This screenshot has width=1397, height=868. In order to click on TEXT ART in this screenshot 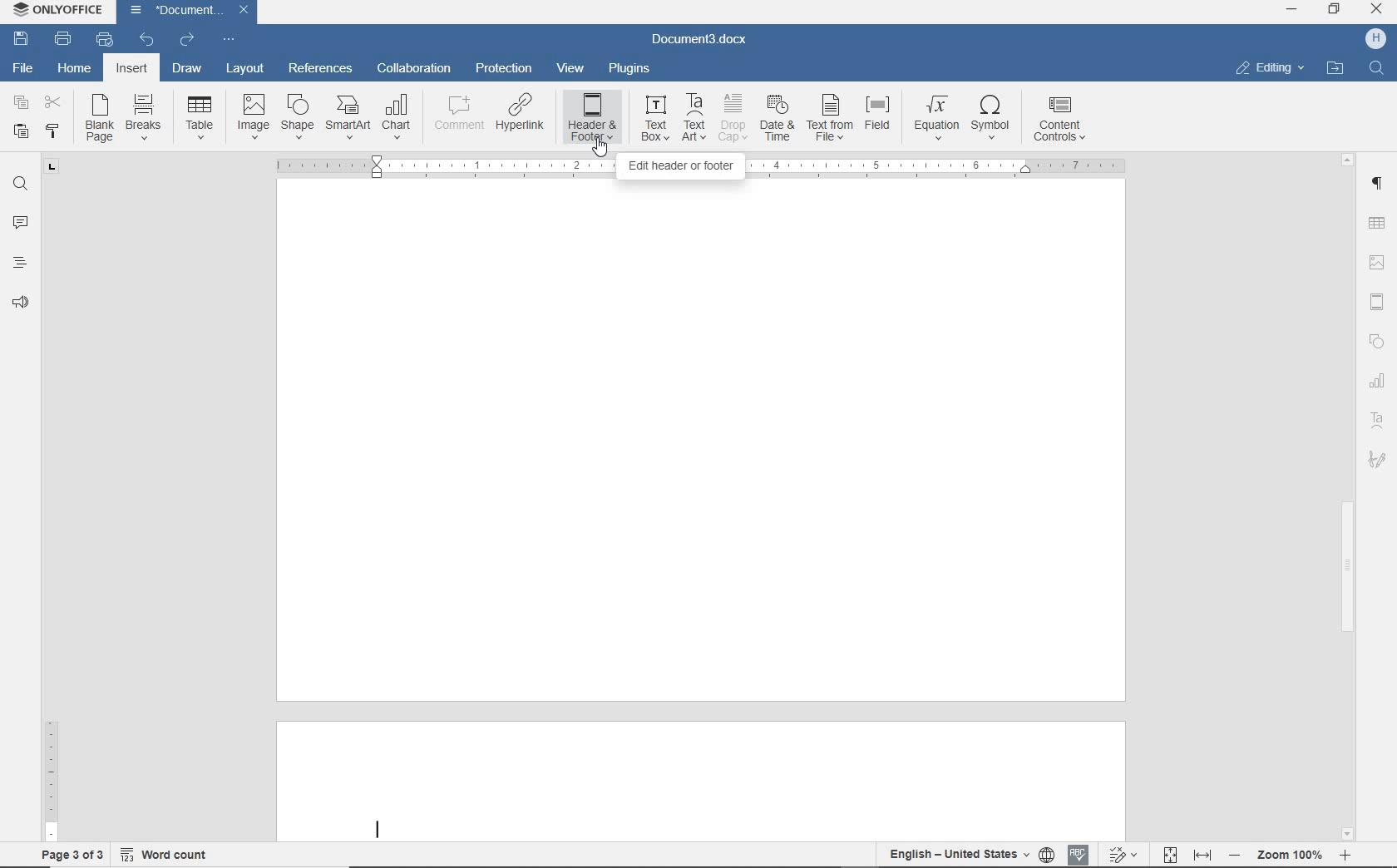, I will do `click(695, 117)`.